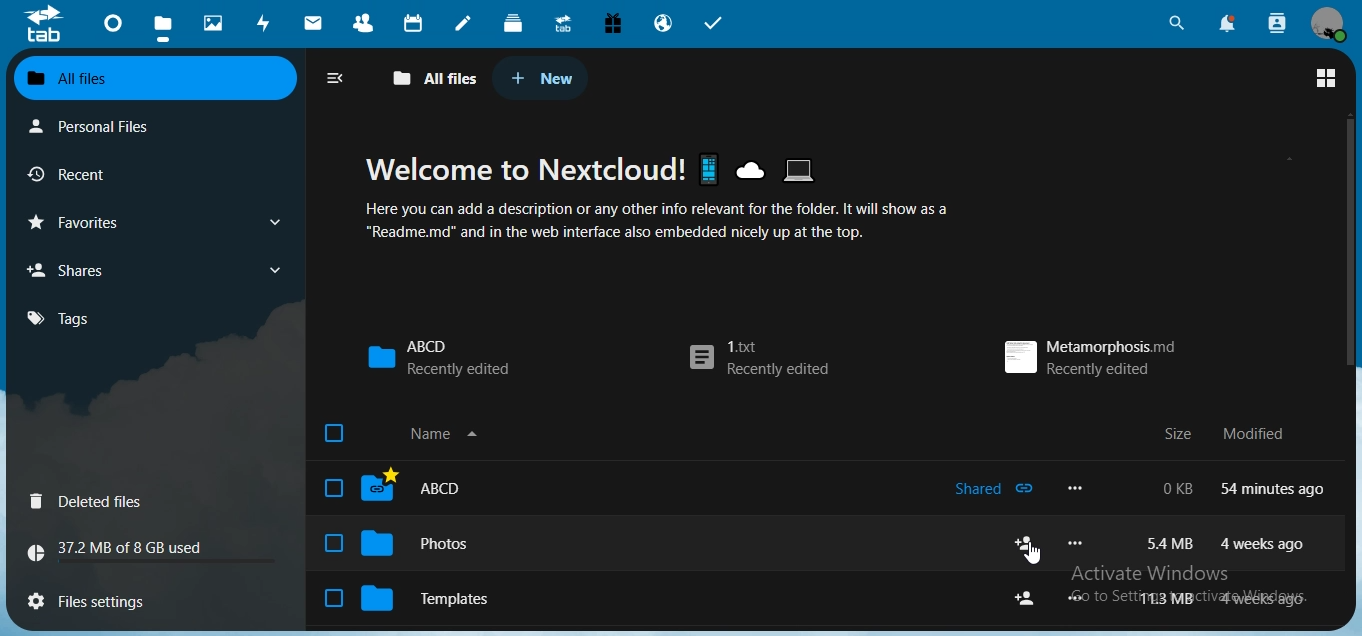 Image resolution: width=1362 pixels, height=636 pixels. What do you see at coordinates (993, 490) in the screenshot?
I see `shared` at bounding box center [993, 490].